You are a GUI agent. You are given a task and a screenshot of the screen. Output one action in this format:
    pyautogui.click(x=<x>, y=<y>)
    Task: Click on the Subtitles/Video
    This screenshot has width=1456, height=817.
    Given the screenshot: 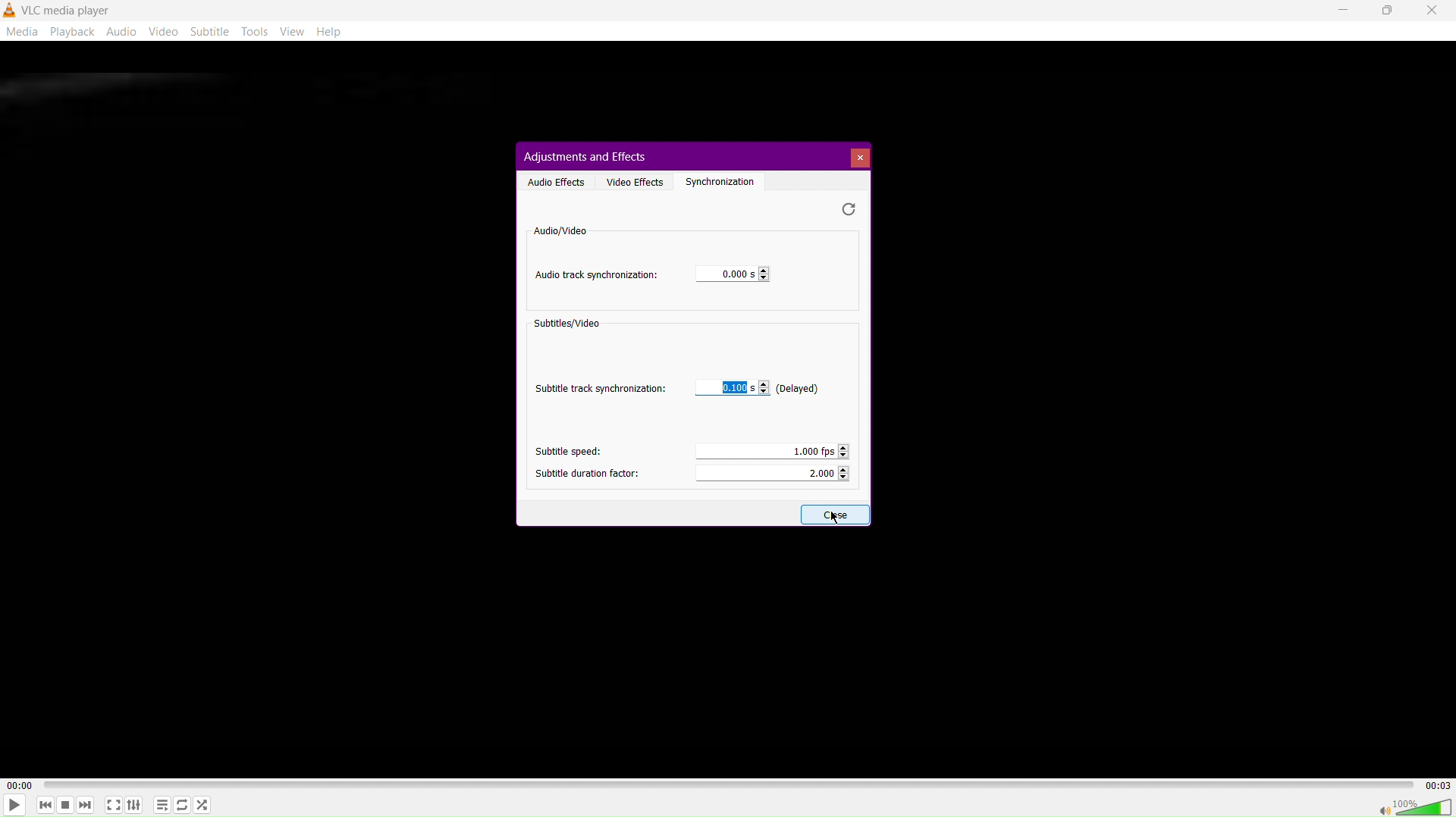 What is the action you would take?
    pyautogui.click(x=570, y=326)
    